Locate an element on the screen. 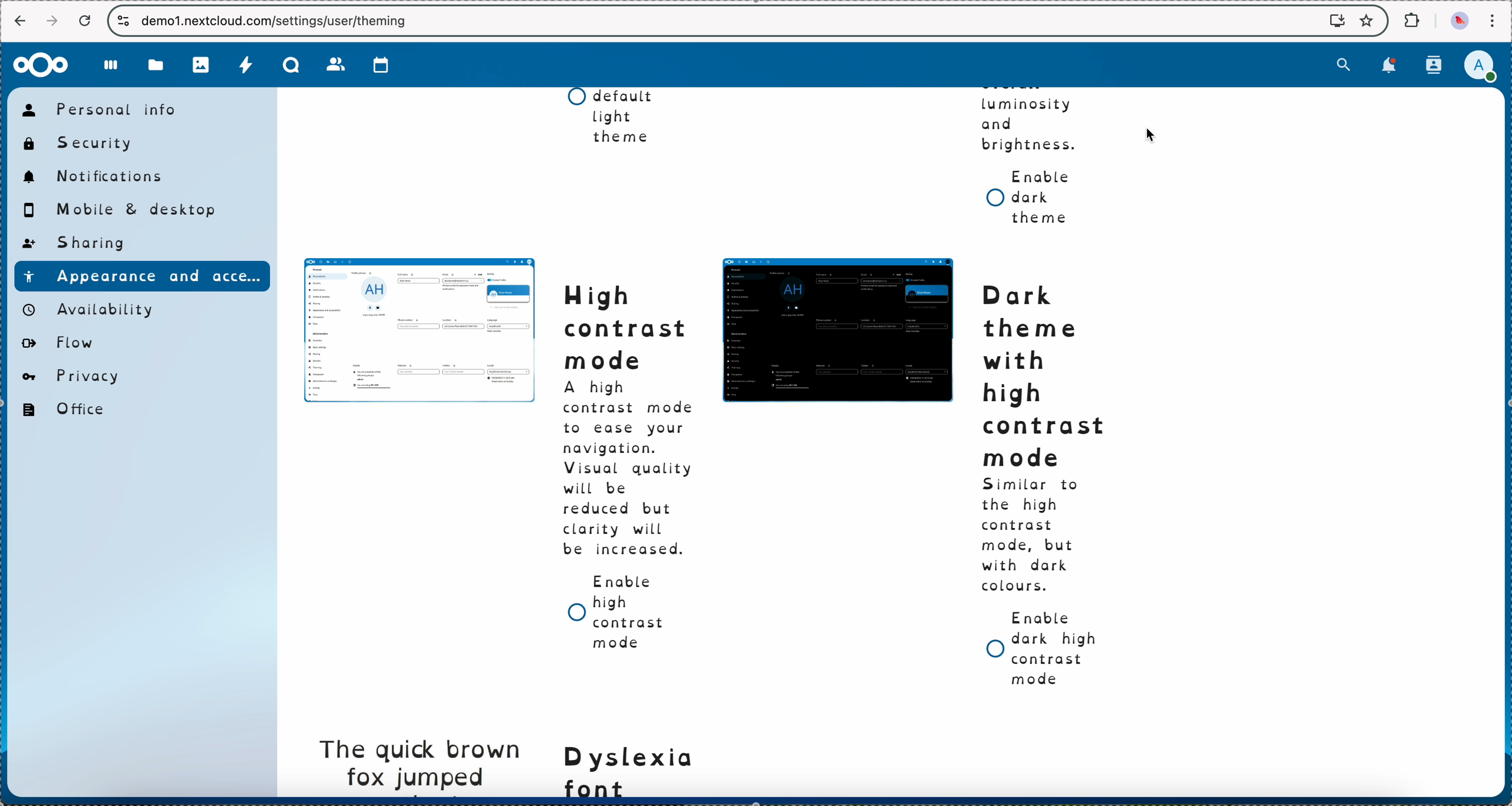 This screenshot has height=806, width=1512. Talk is located at coordinates (289, 66).